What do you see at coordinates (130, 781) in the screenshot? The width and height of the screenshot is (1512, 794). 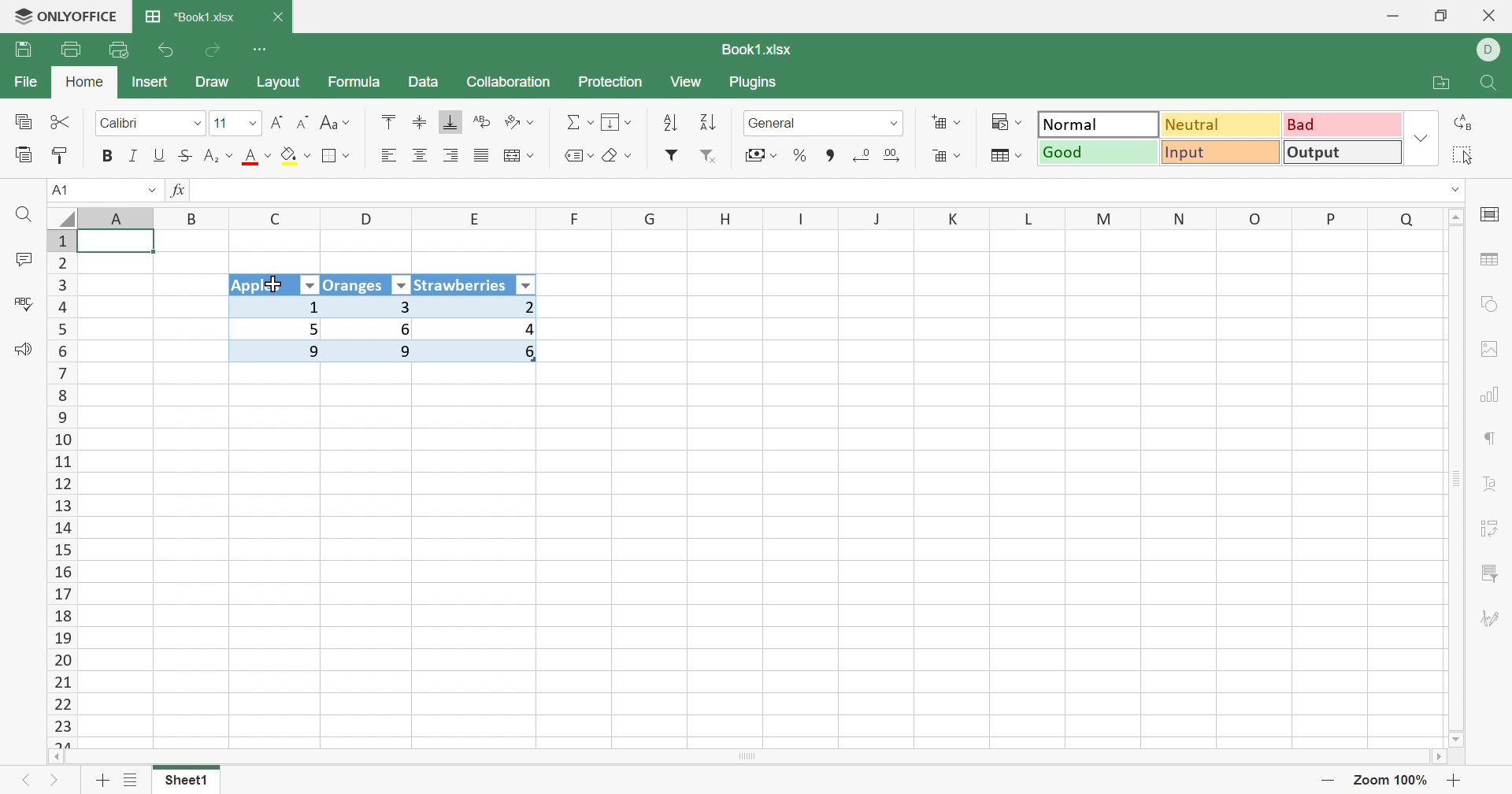 I see `List of sheets` at bounding box center [130, 781].